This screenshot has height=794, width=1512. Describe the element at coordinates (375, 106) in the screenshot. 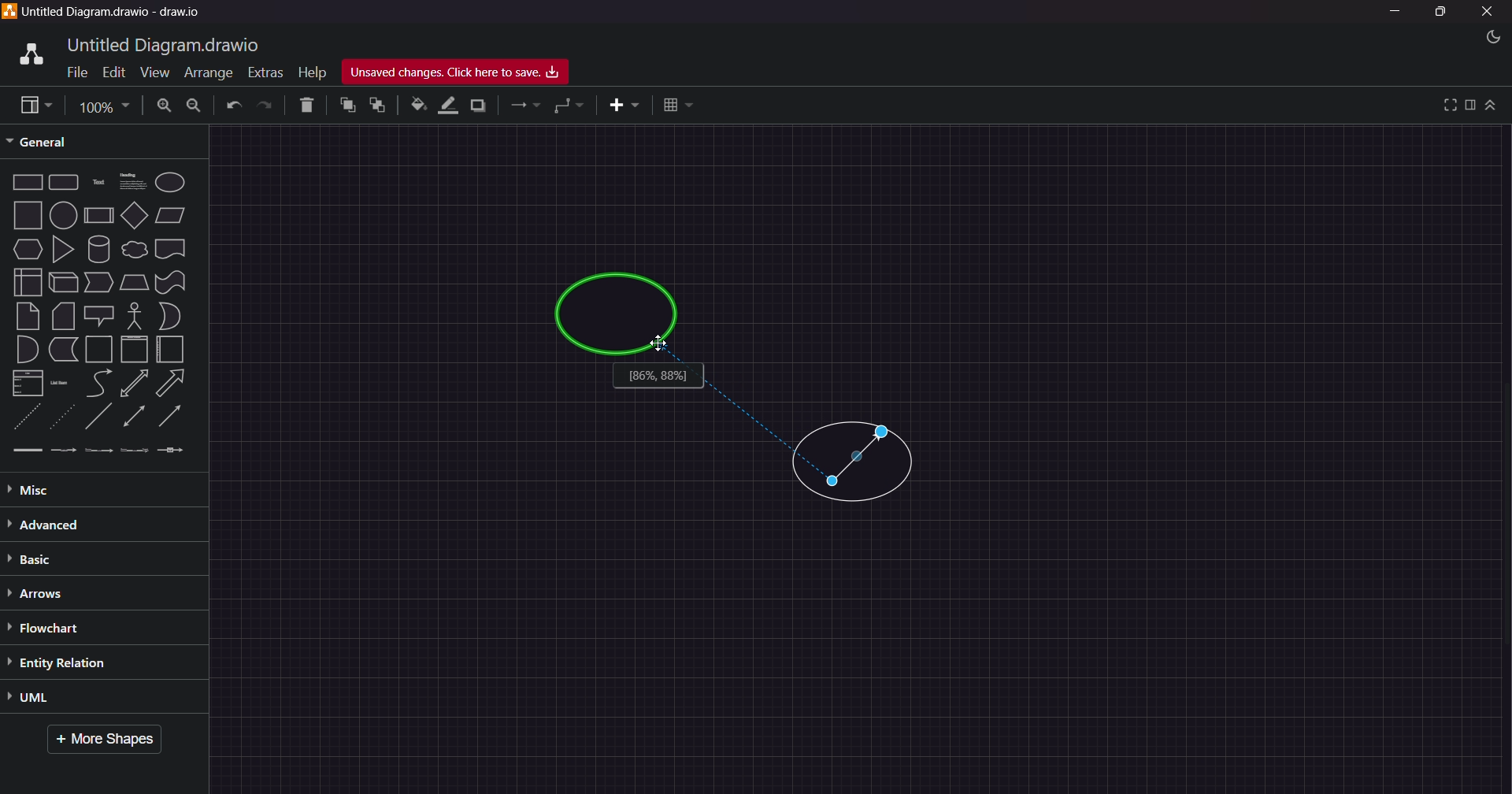

I see `to back` at that location.